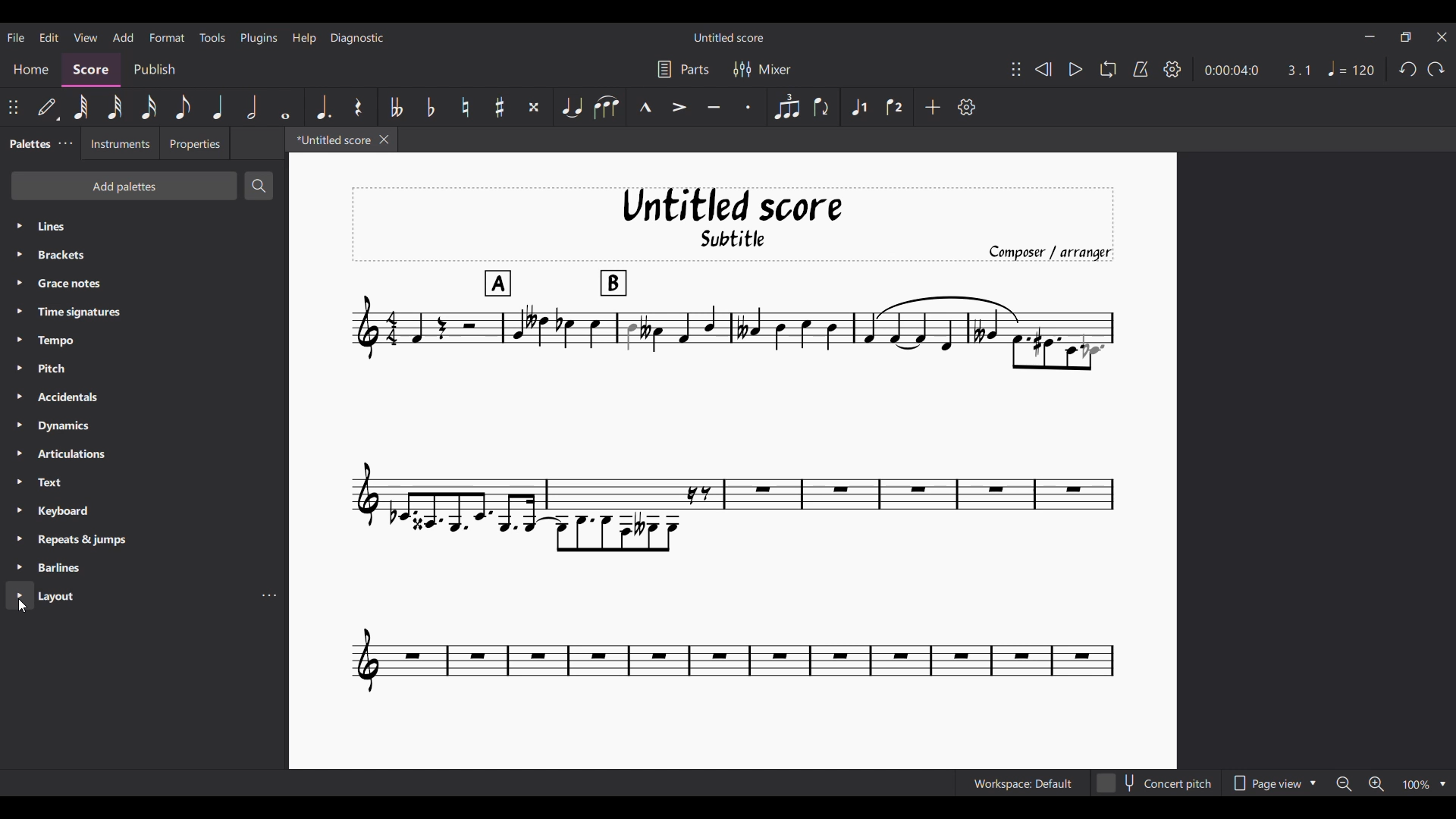 This screenshot has height=819, width=1456. I want to click on Tempo, so click(1351, 69).